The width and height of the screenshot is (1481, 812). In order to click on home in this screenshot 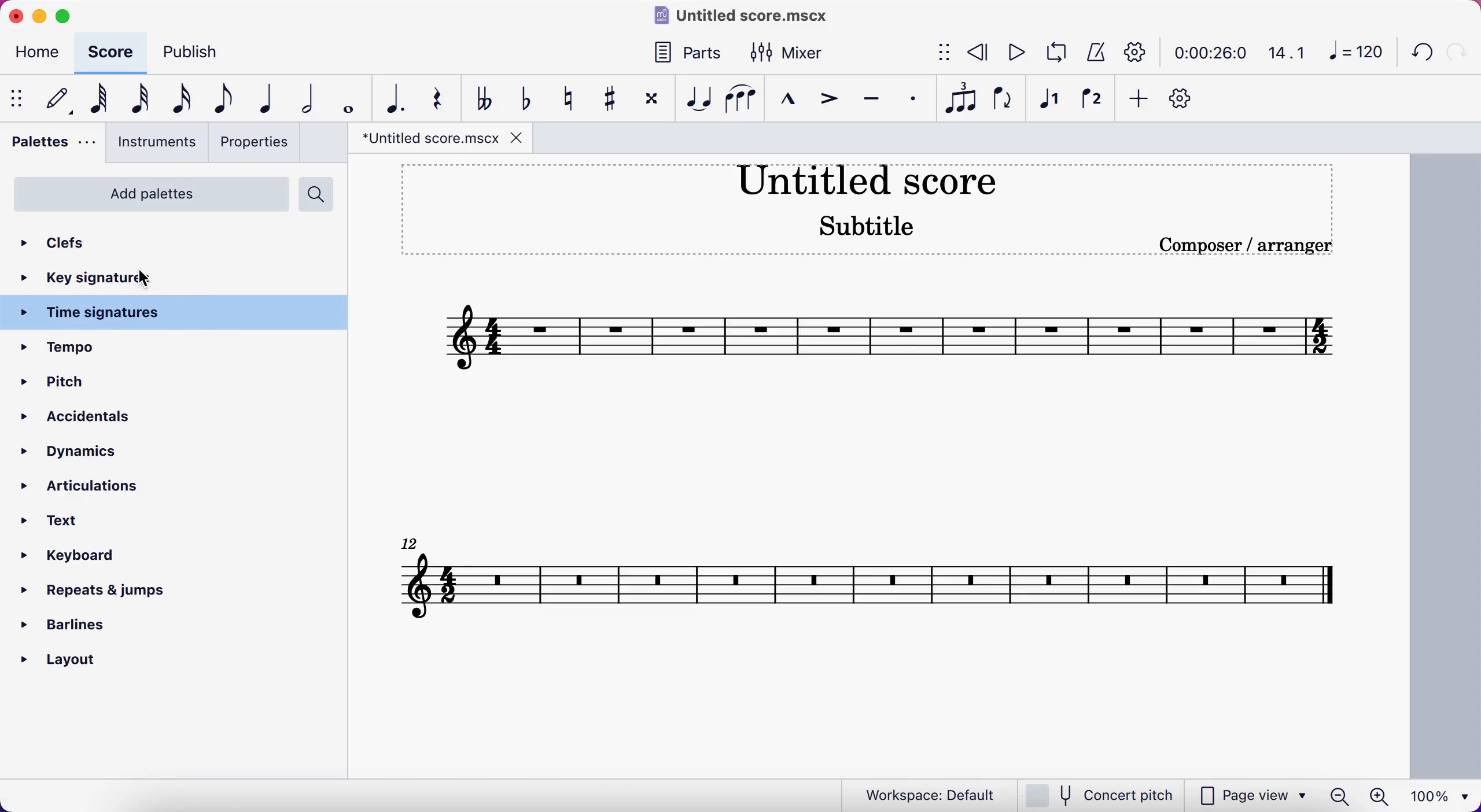, I will do `click(38, 53)`.